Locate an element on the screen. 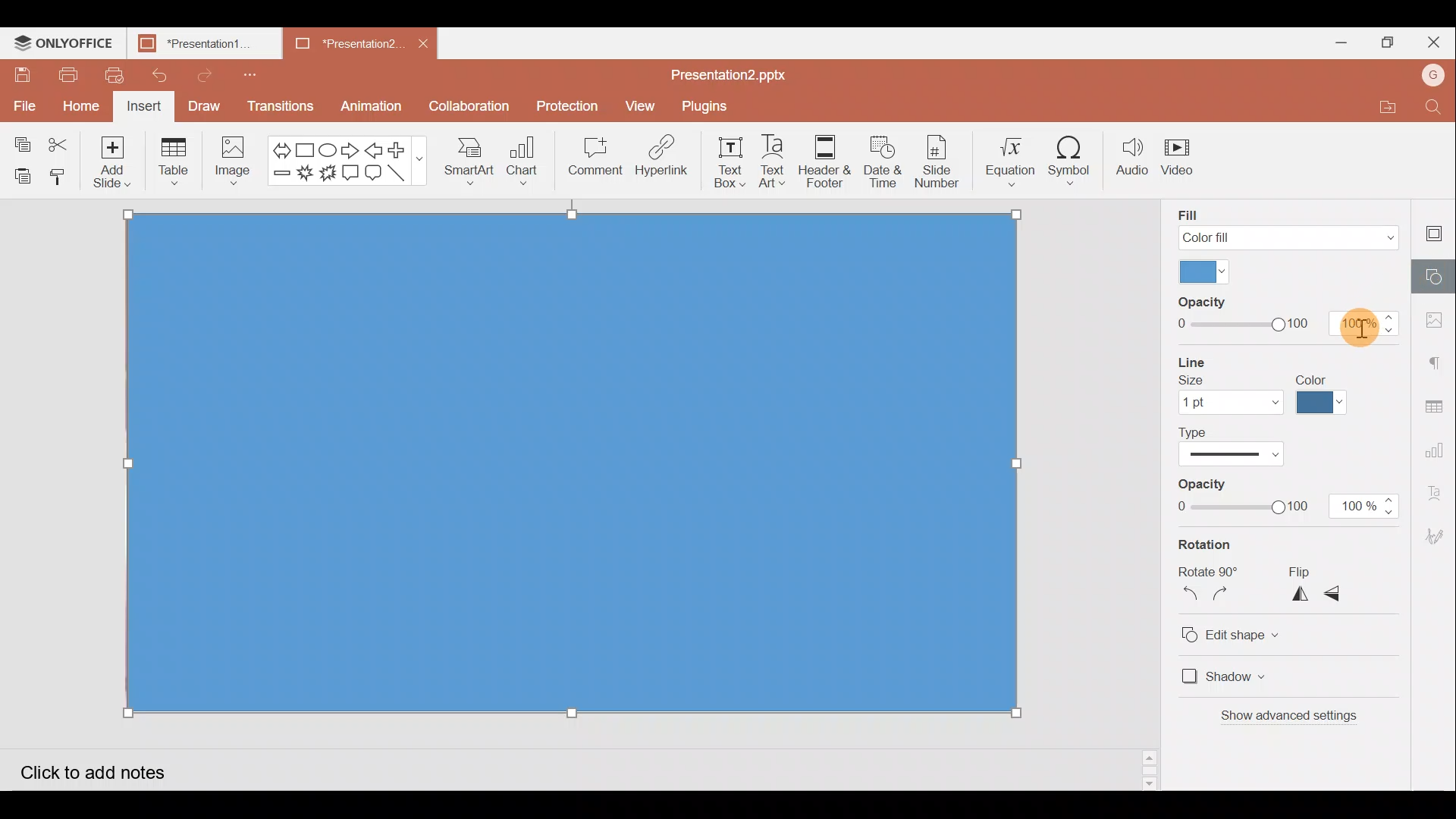 Image resolution: width=1456 pixels, height=819 pixels. Show advanced settings is located at coordinates (1295, 718).